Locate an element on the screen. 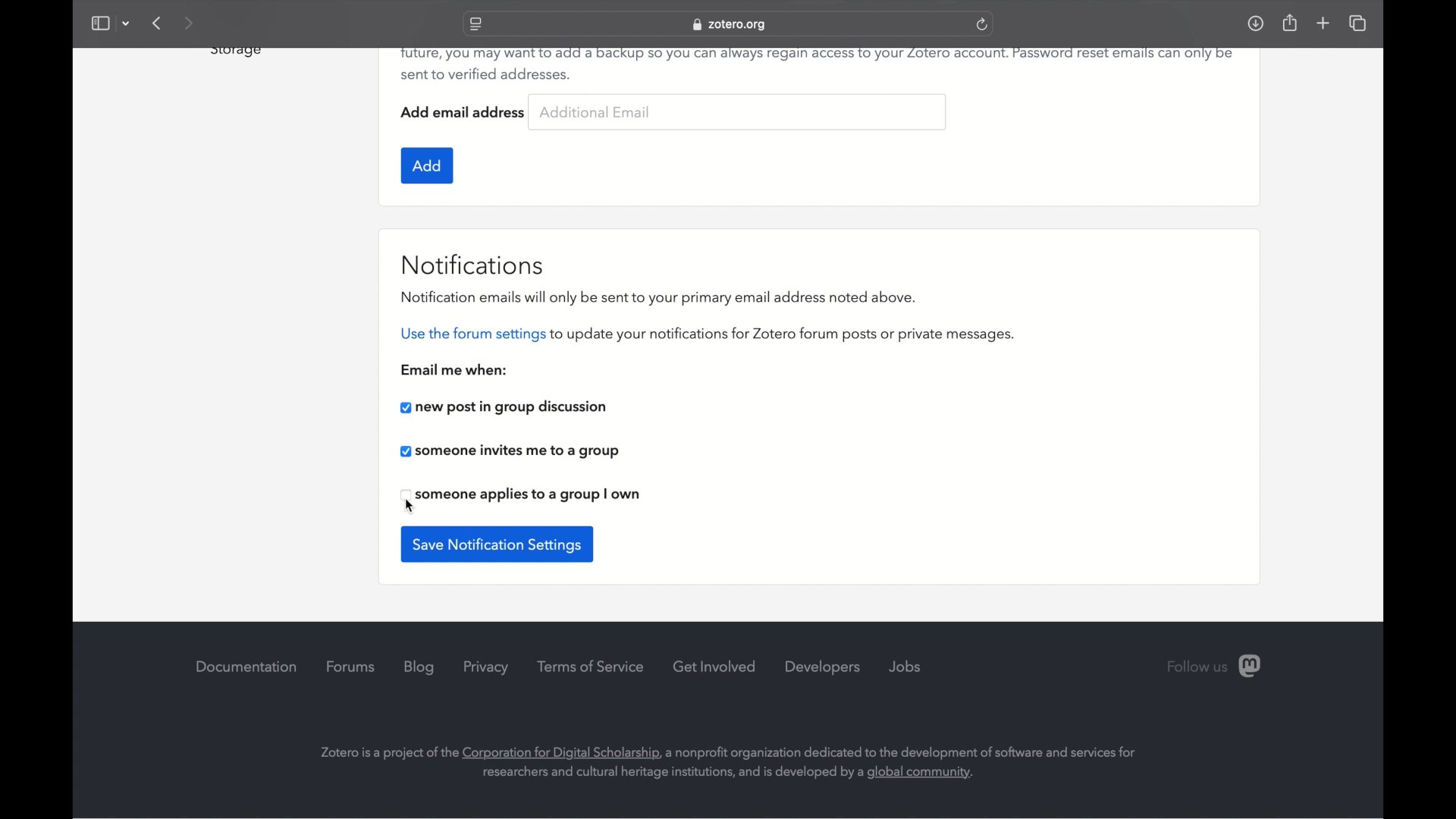  website address is located at coordinates (730, 25).